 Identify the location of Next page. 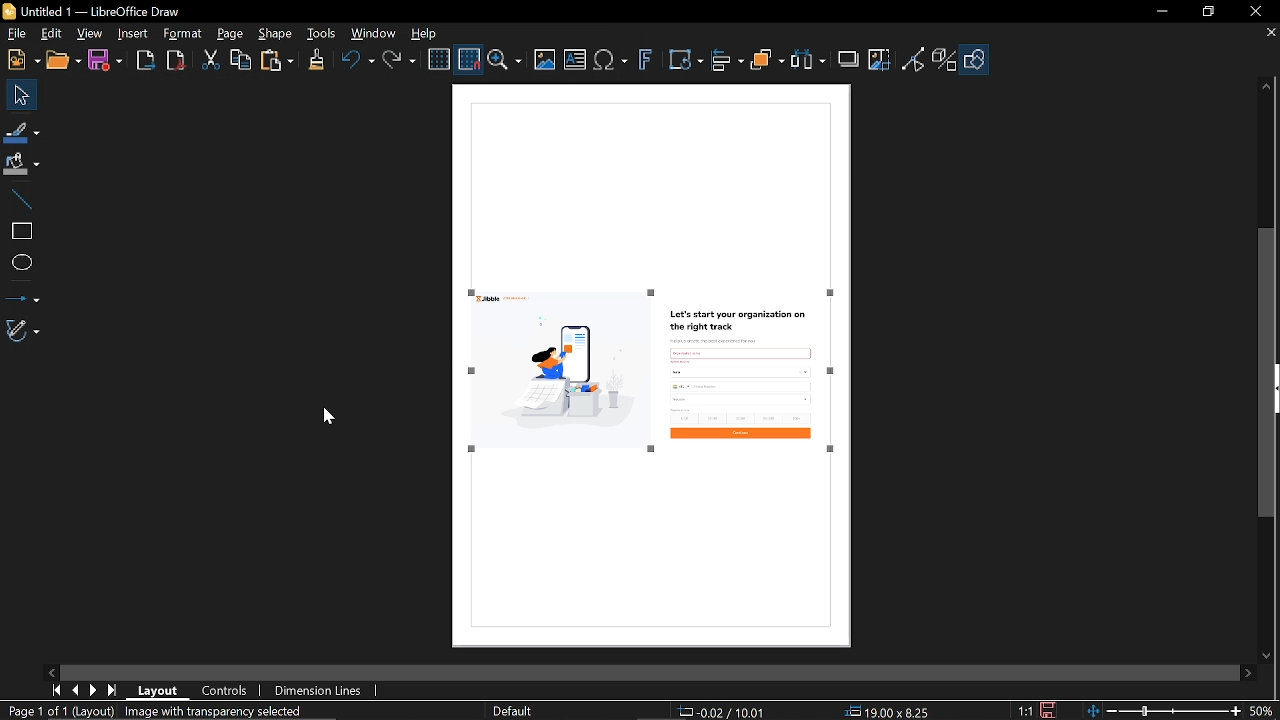
(92, 690).